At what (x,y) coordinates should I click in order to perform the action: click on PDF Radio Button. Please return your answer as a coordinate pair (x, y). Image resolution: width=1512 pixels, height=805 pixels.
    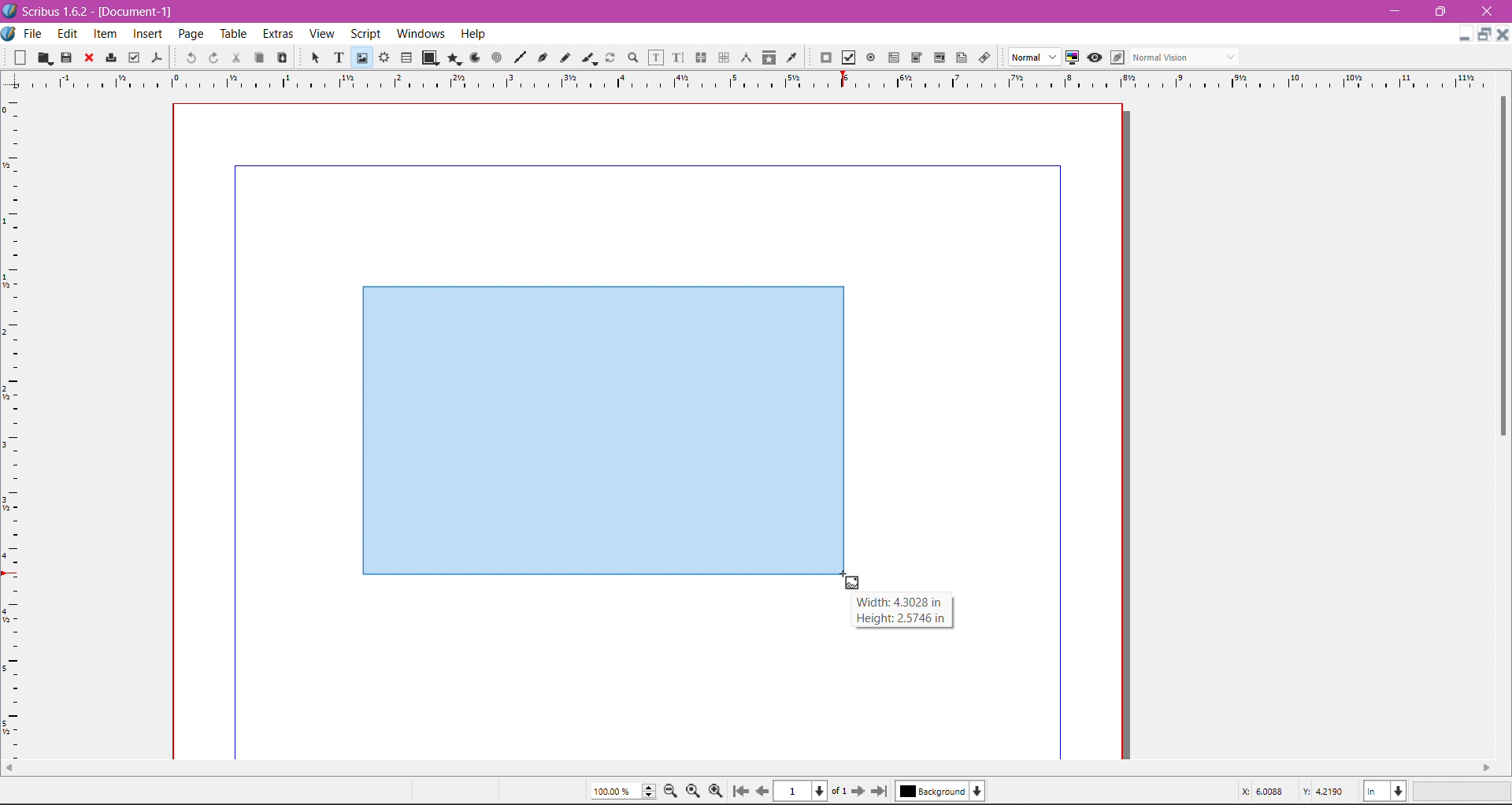
    Looking at the image, I should click on (871, 57).